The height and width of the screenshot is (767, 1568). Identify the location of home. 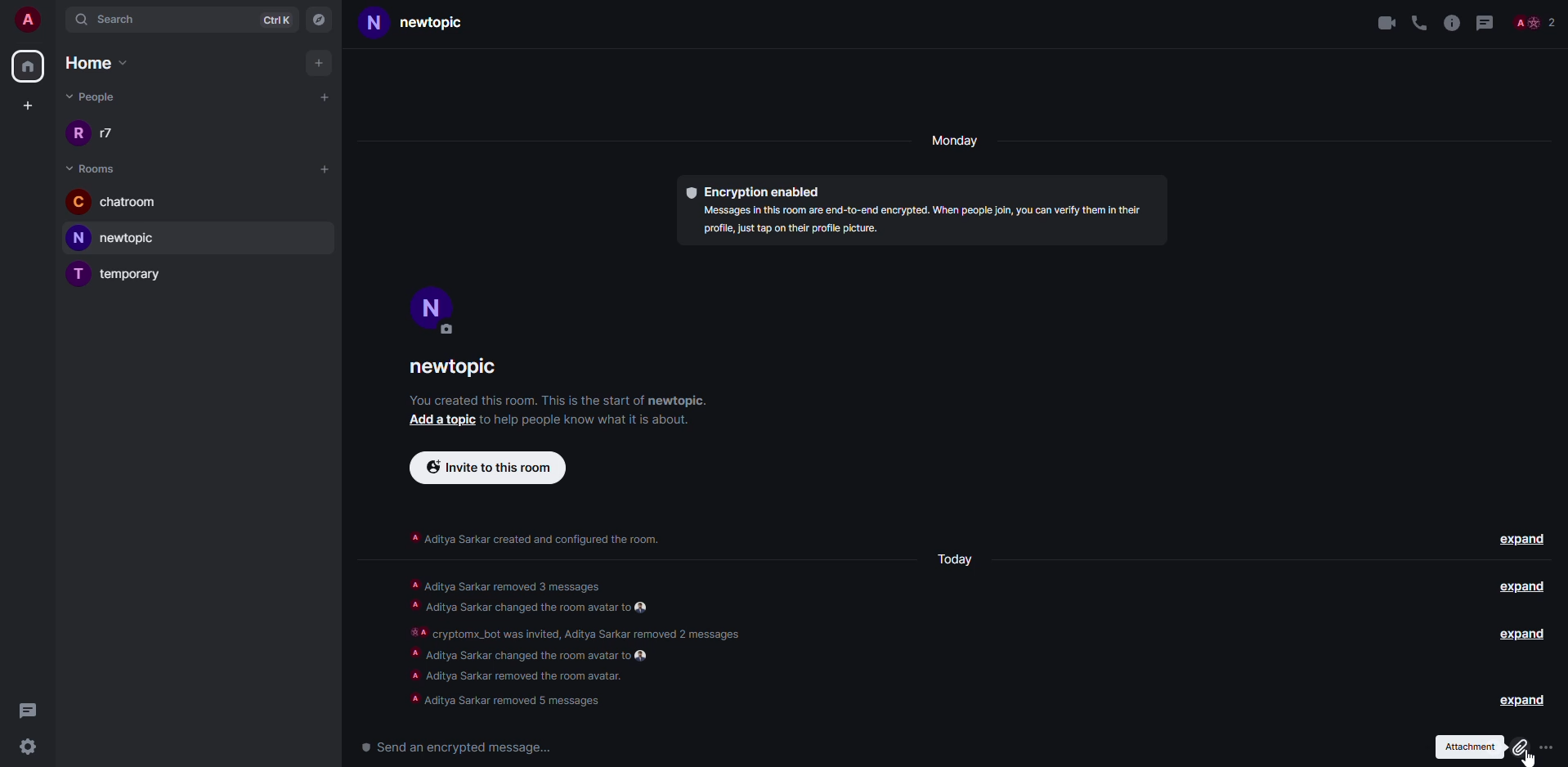
(101, 61).